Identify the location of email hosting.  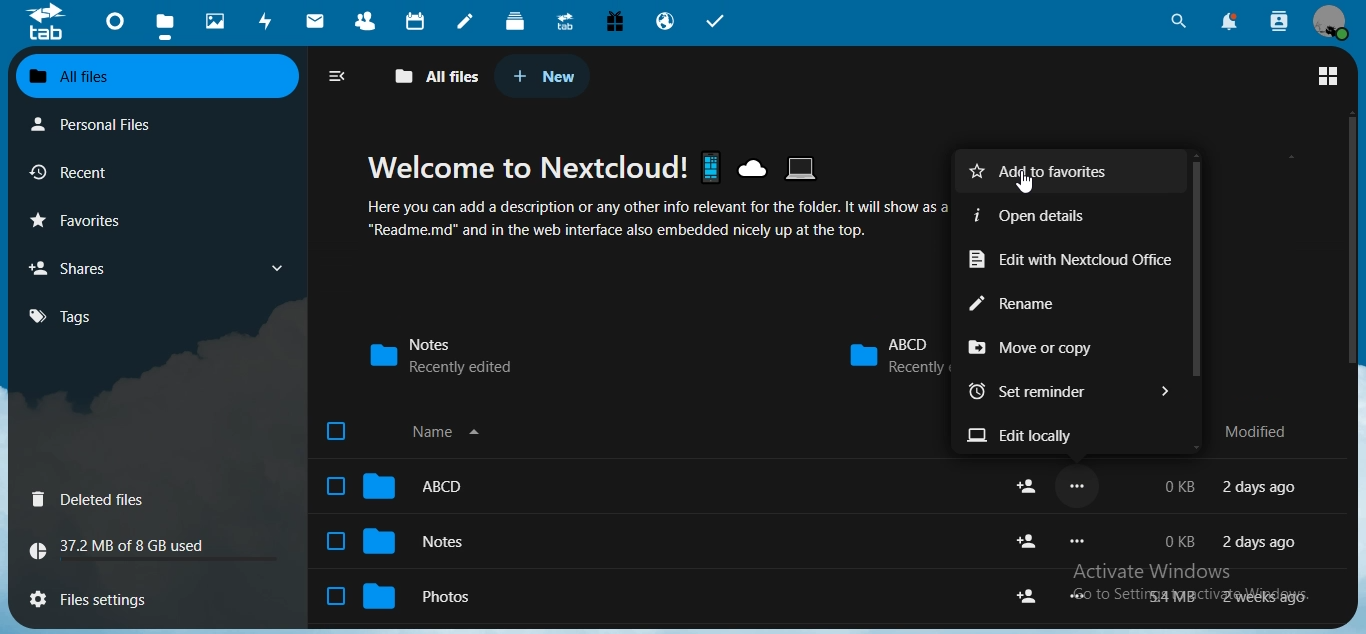
(665, 22).